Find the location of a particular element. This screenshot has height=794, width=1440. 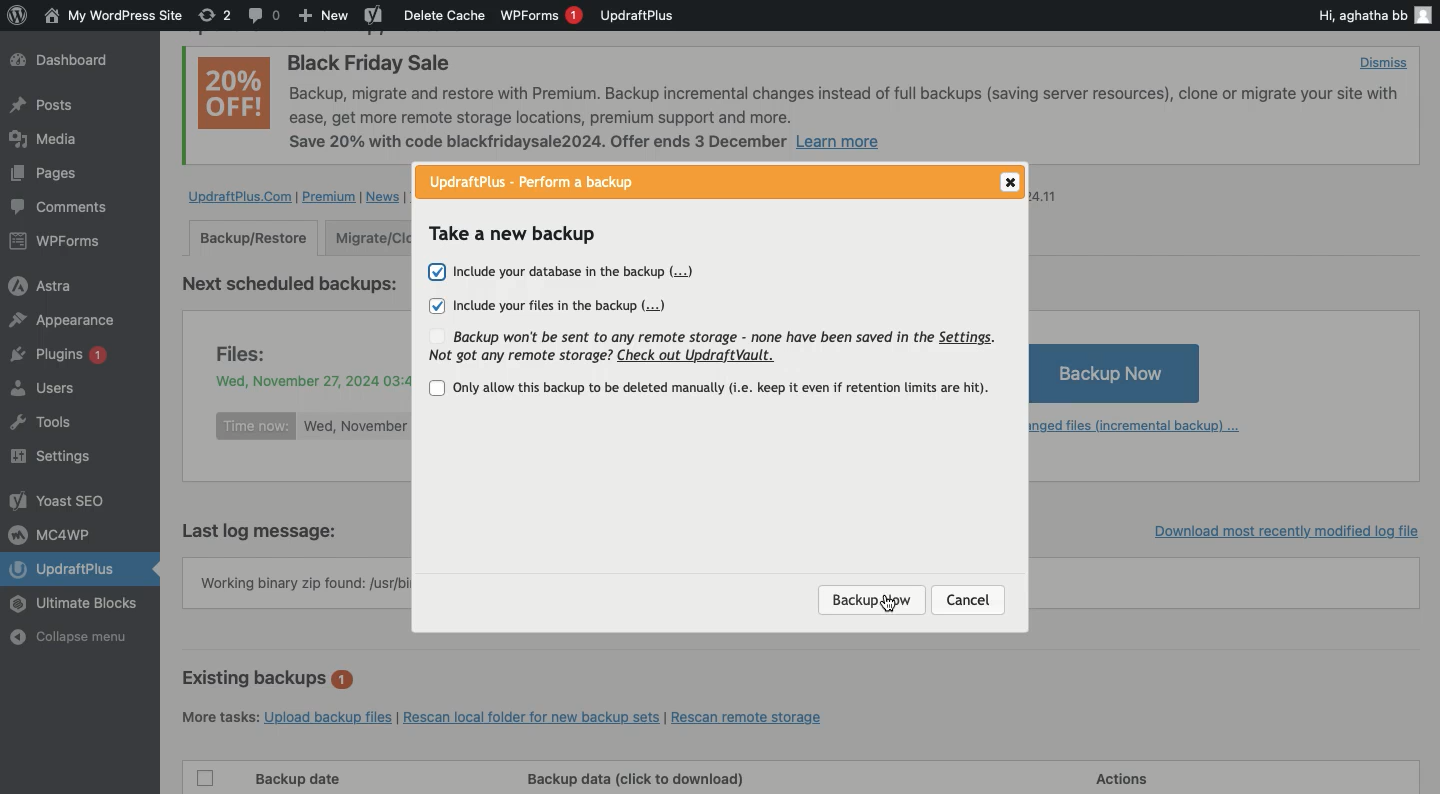

Ultimate Blocks is located at coordinates (78, 604).